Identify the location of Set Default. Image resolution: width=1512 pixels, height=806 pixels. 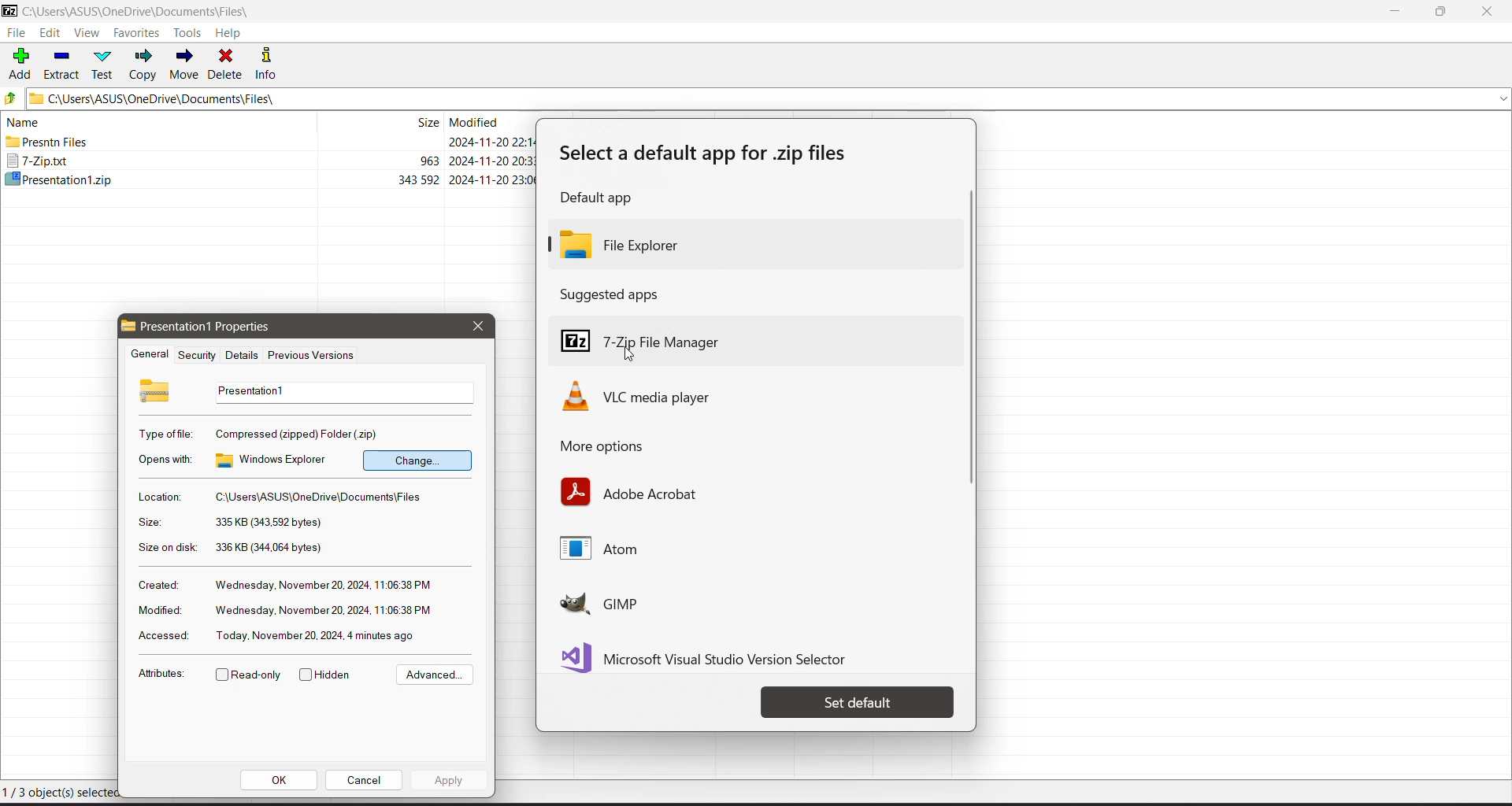
(858, 702).